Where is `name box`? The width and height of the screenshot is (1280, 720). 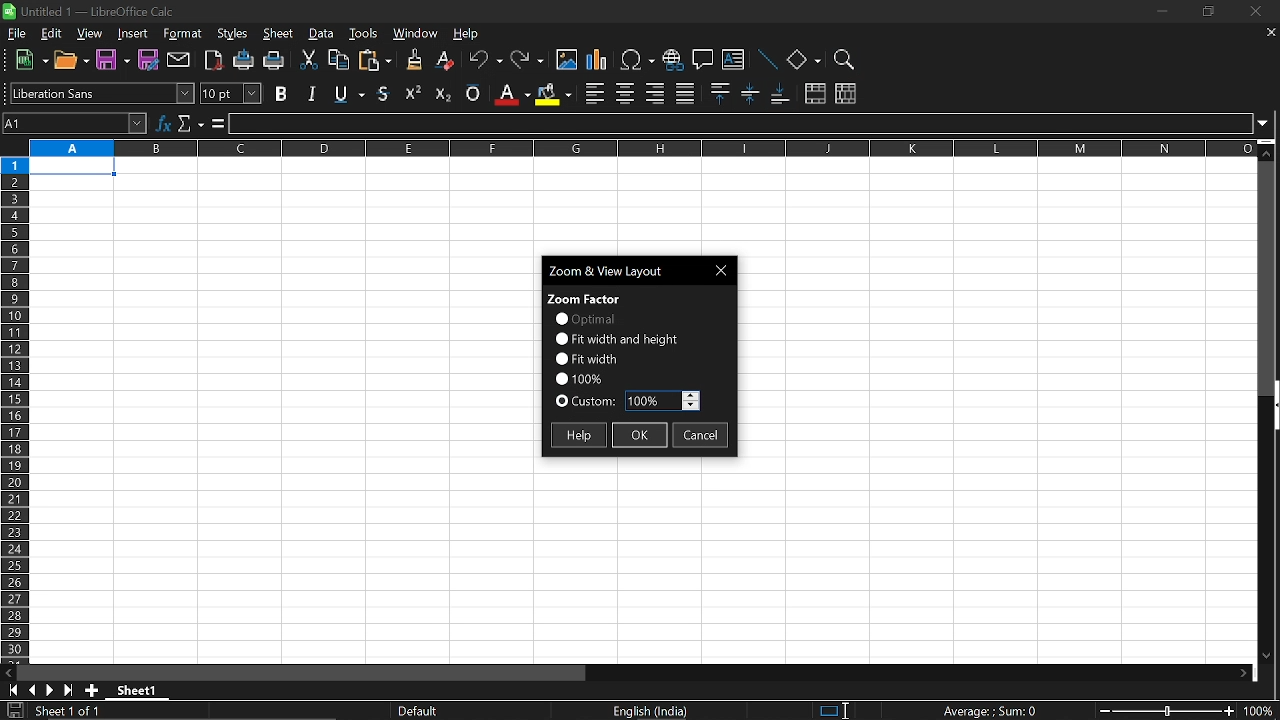
name box is located at coordinates (76, 123).